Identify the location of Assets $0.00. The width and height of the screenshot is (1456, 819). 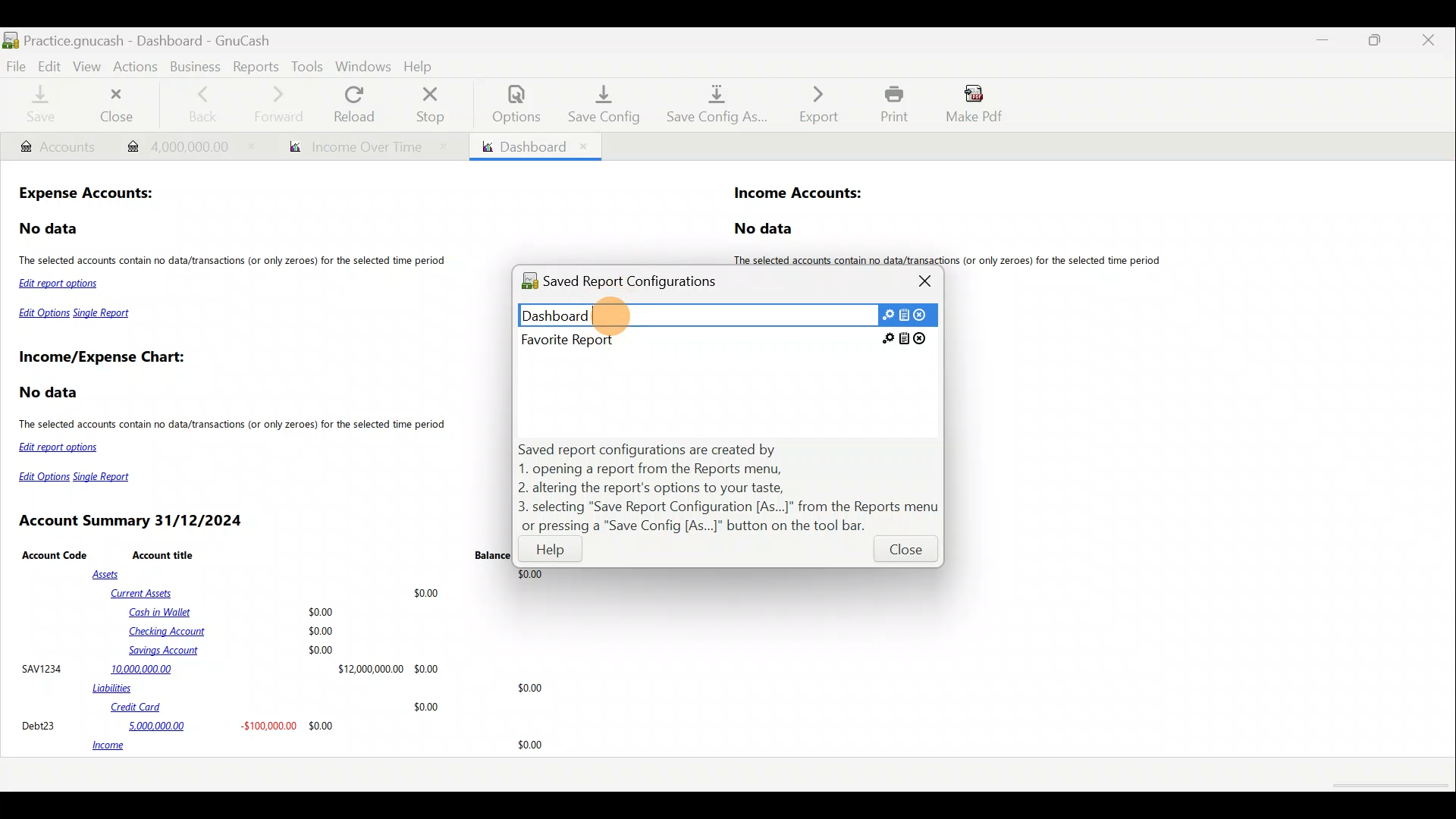
(322, 575).